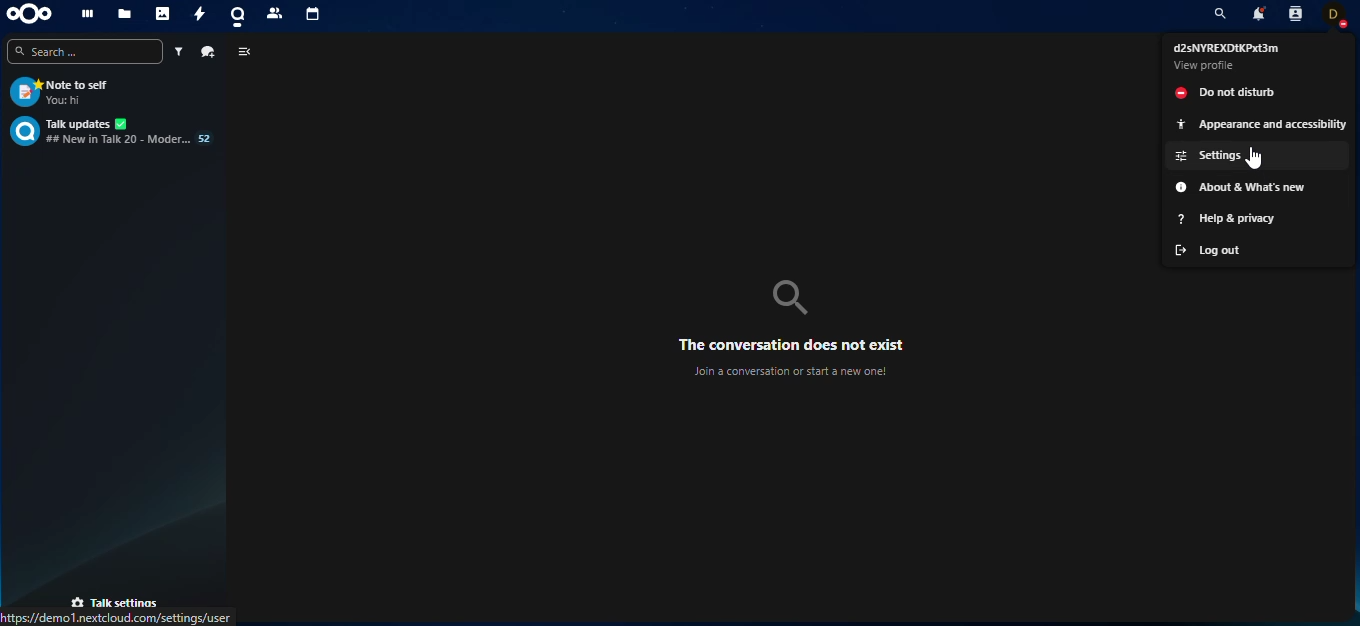 This screenshot has height=626, width=1360. Describe the element at coordinates (246, 52) in the screenshot. I see `view` at that location.